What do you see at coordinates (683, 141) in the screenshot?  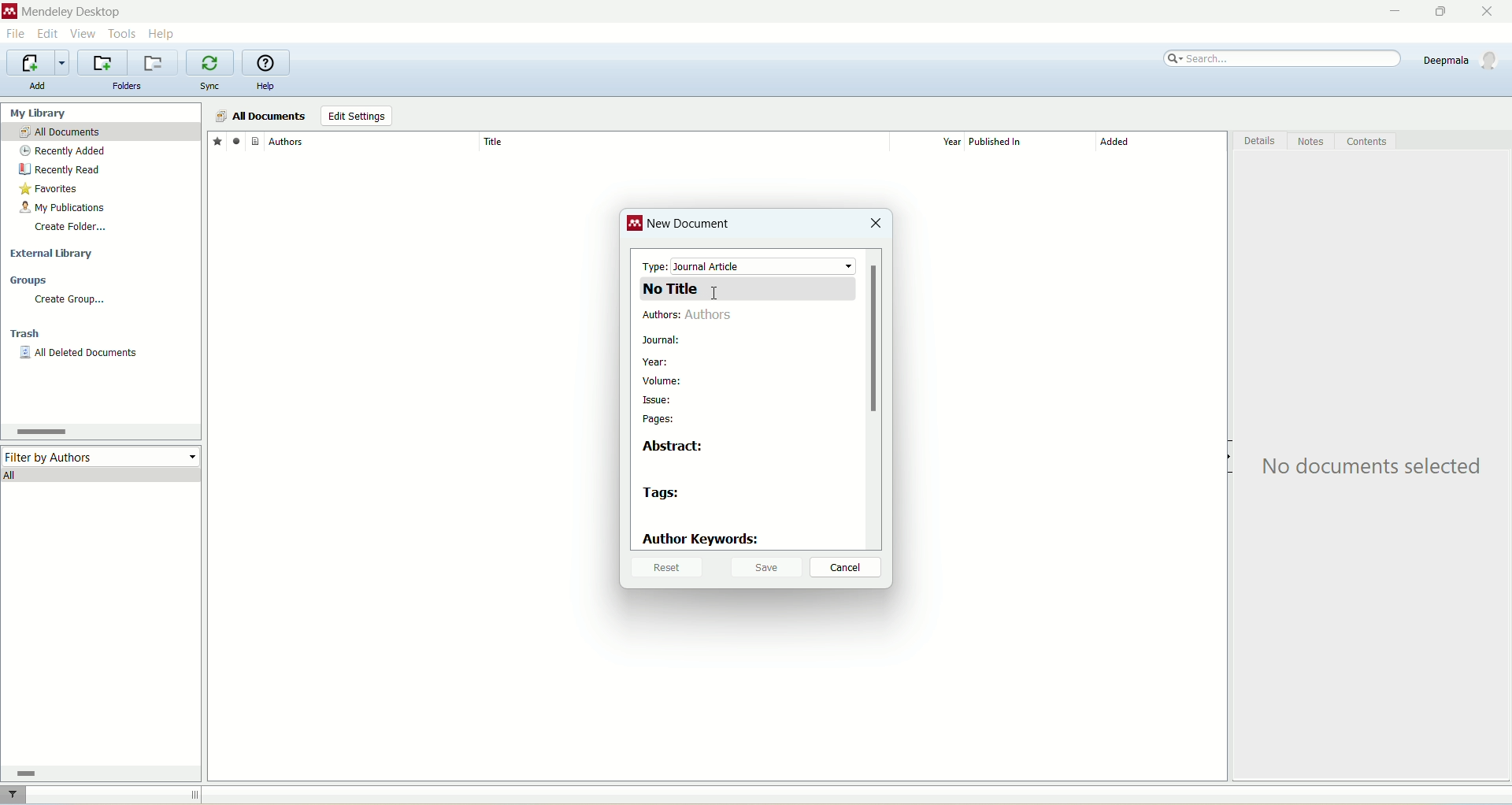 I see `title` at bounding box center [683, 141].